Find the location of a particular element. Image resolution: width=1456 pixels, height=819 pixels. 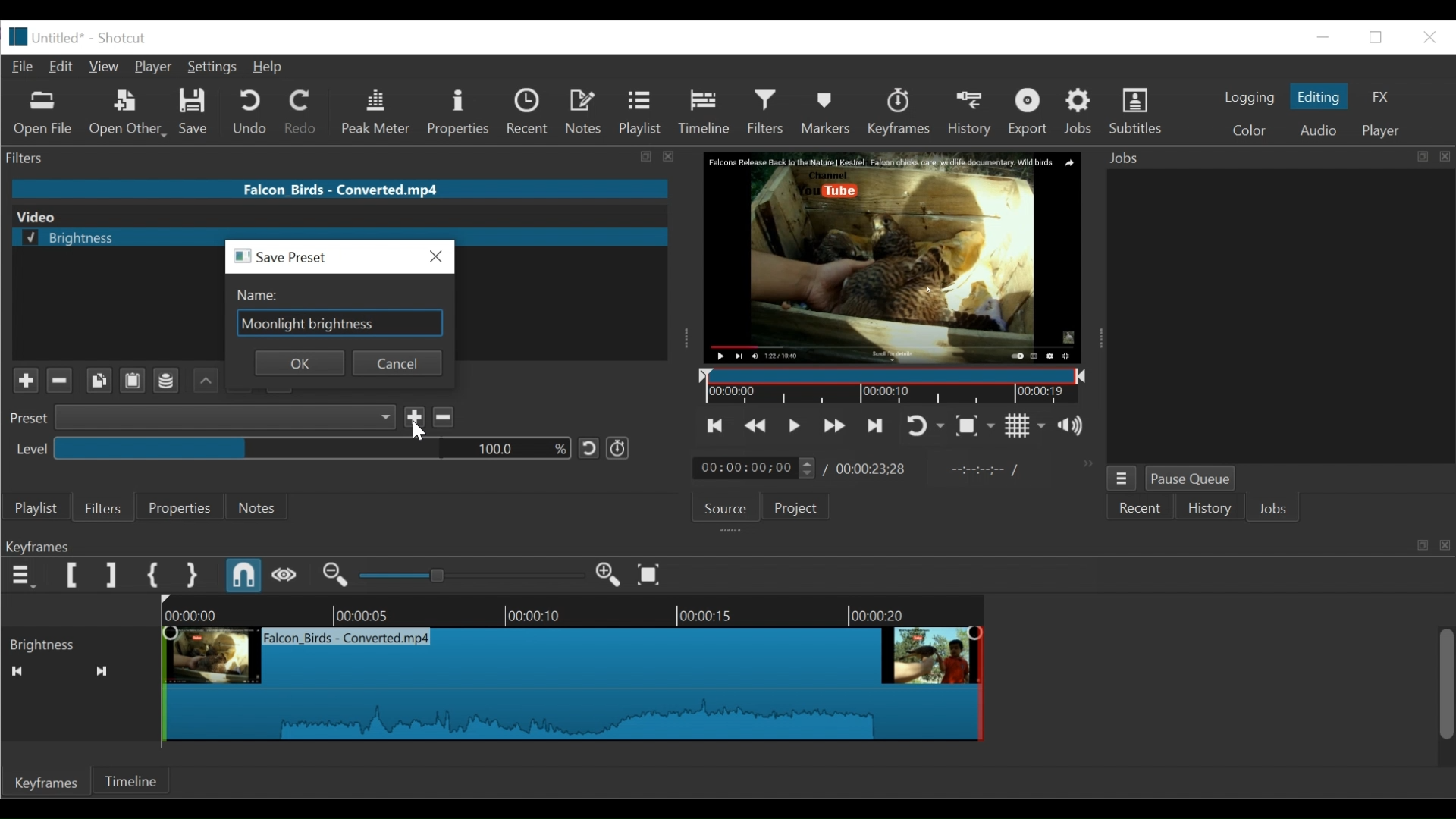

Keyframes is located at coordinates (899, 111).